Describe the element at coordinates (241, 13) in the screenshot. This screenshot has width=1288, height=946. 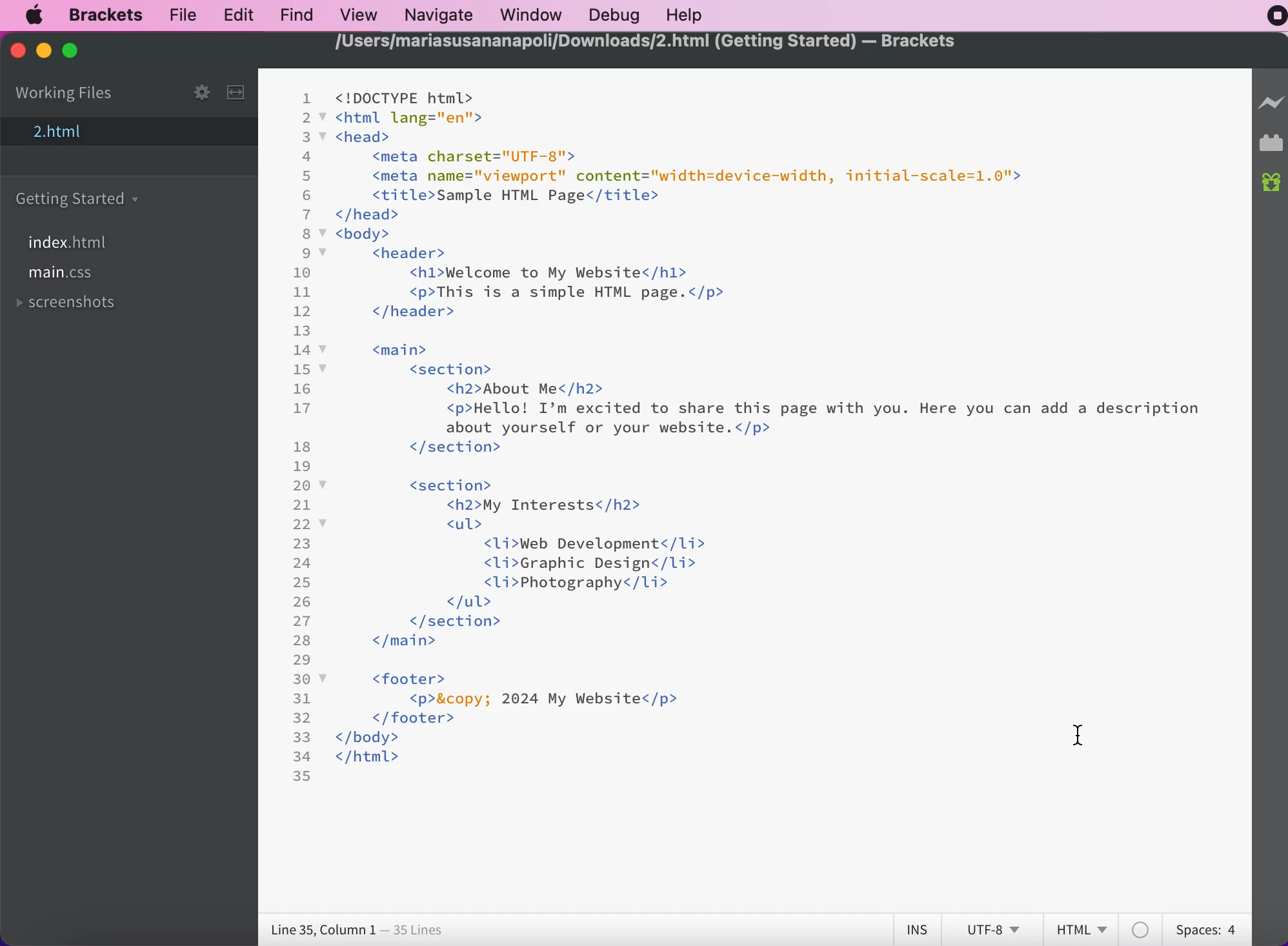
I see `edit` at that location.